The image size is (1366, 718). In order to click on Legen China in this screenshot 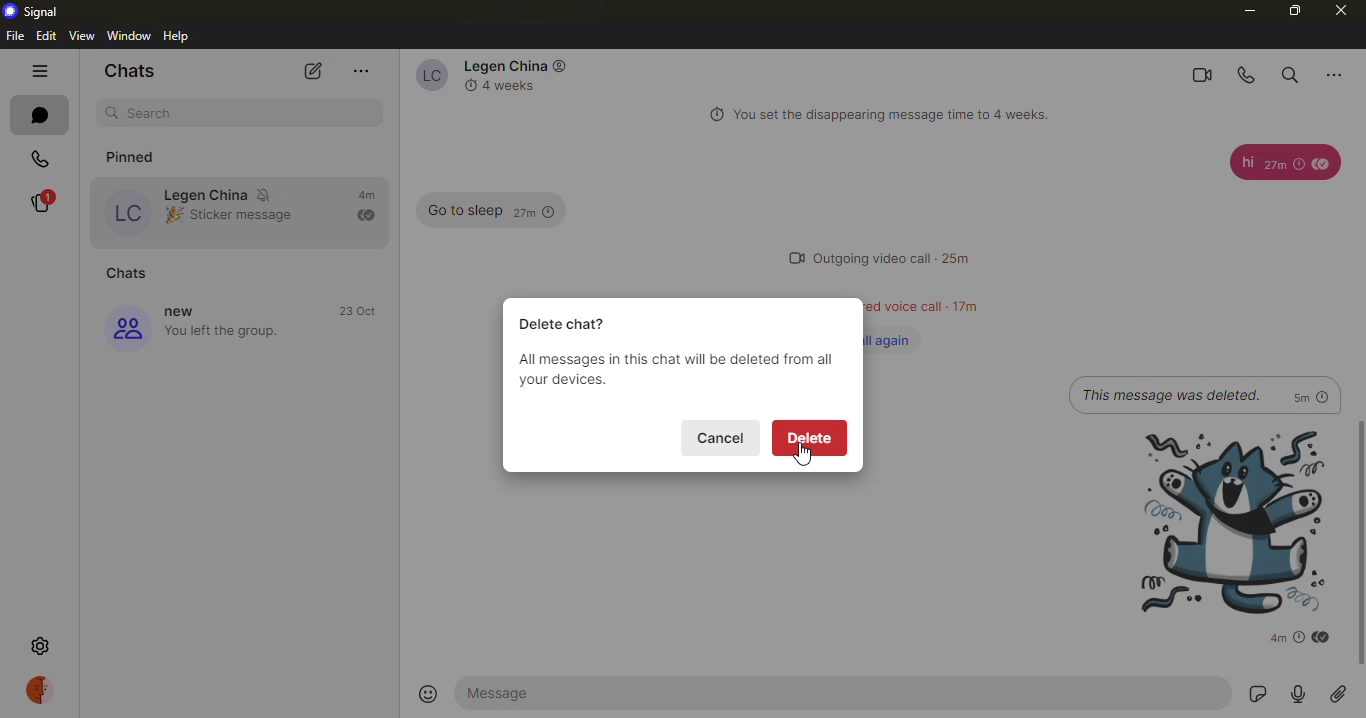, I will do `click(501, 66)`.